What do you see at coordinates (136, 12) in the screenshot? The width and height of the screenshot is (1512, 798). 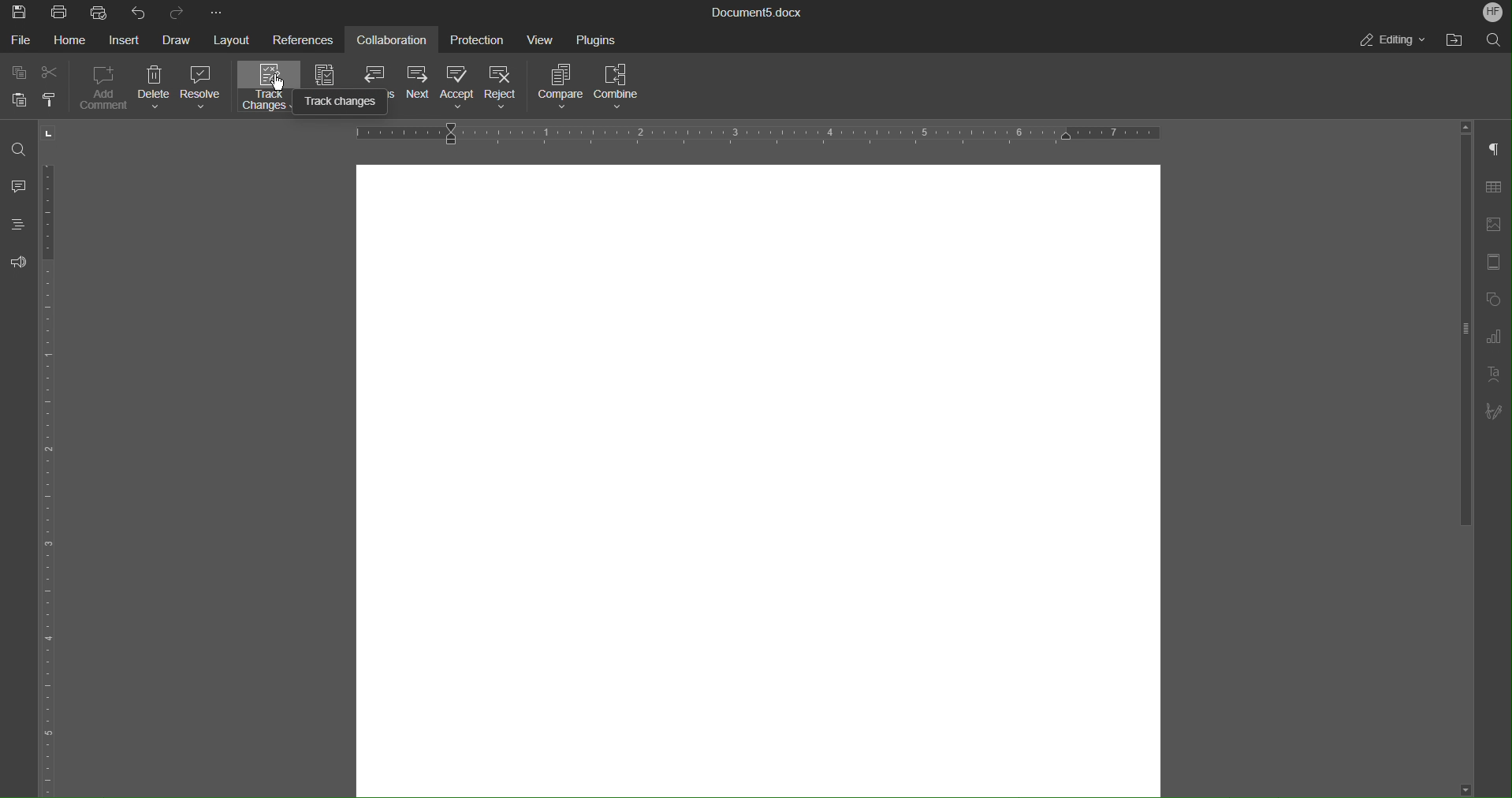 I see `Undo` at bounding box center [136, 12].